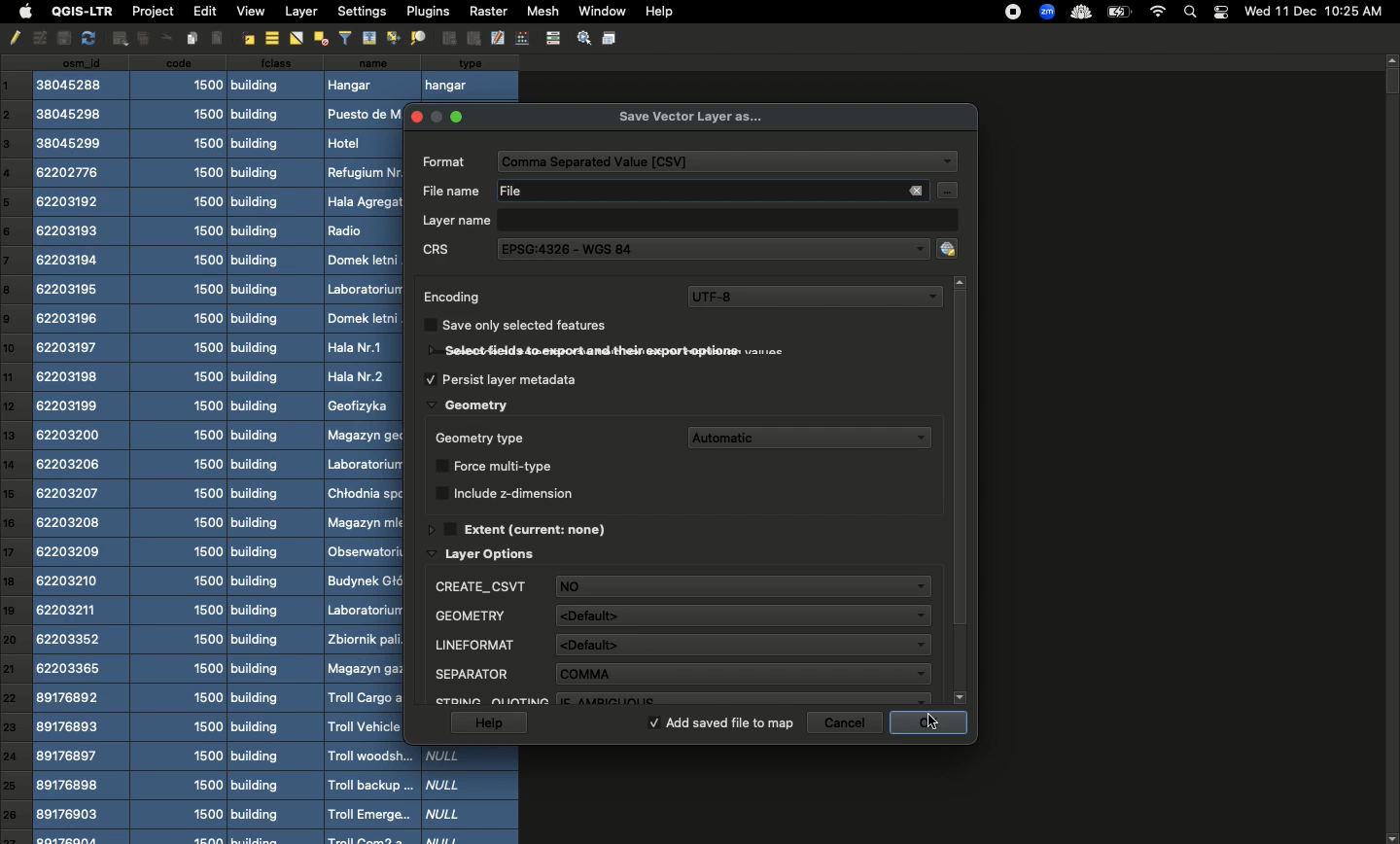  I want to click on Geometry, so click(470, 402).